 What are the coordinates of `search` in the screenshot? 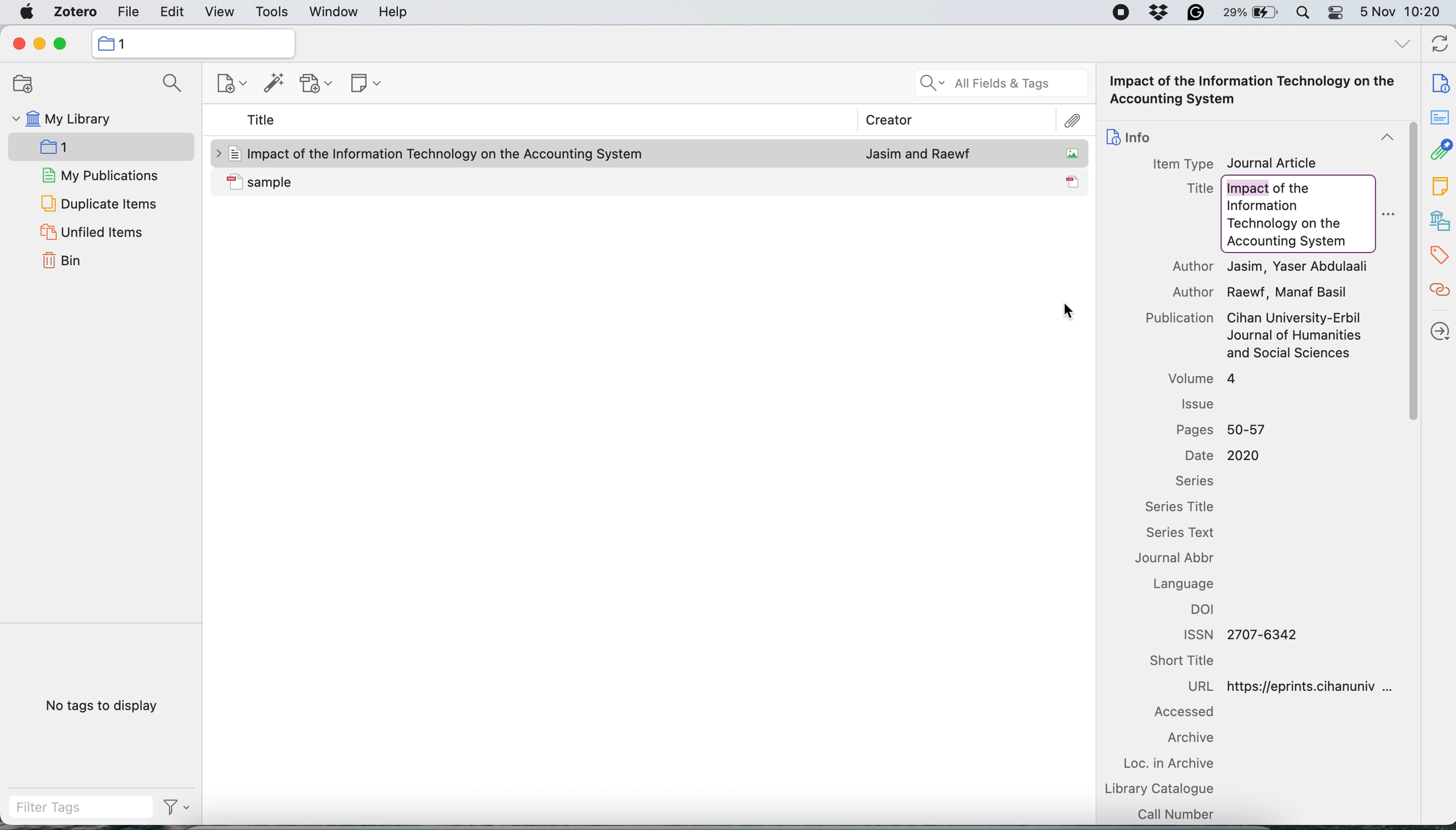 It's located at (174, 83).